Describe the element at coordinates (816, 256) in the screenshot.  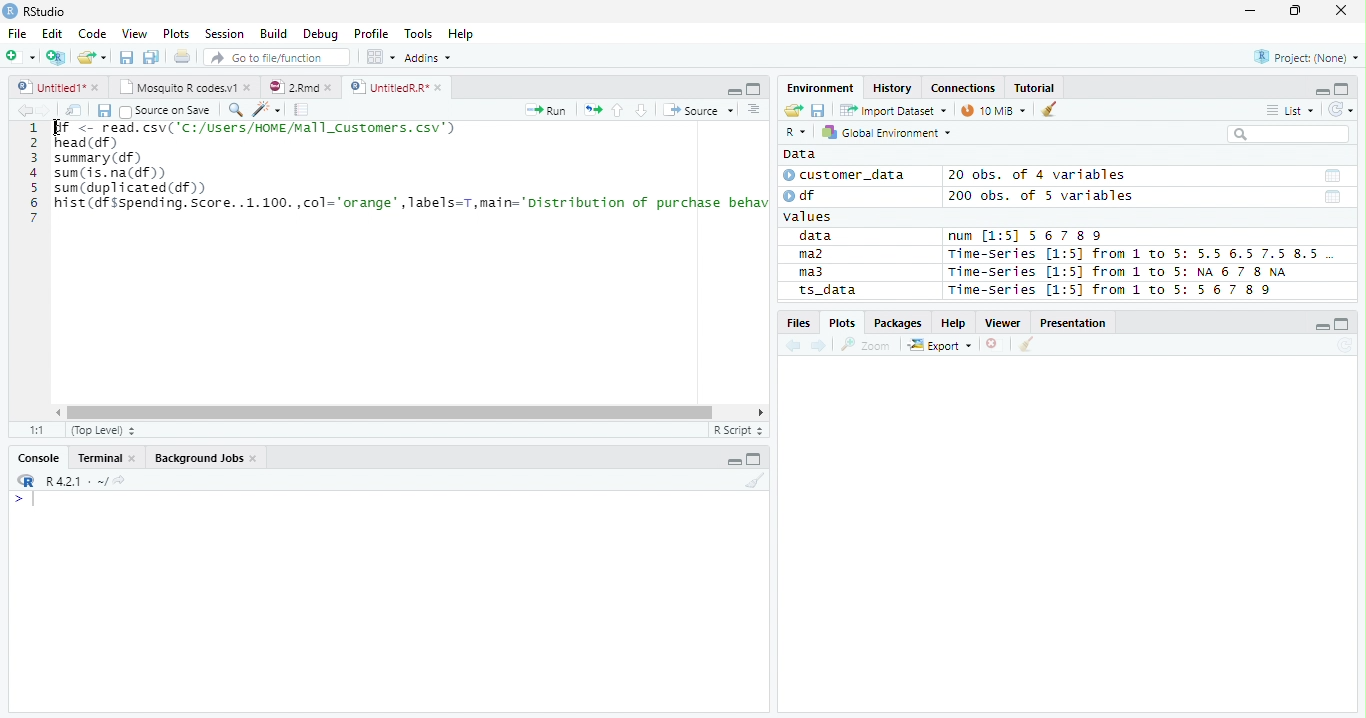
I see `ma2` at that location.